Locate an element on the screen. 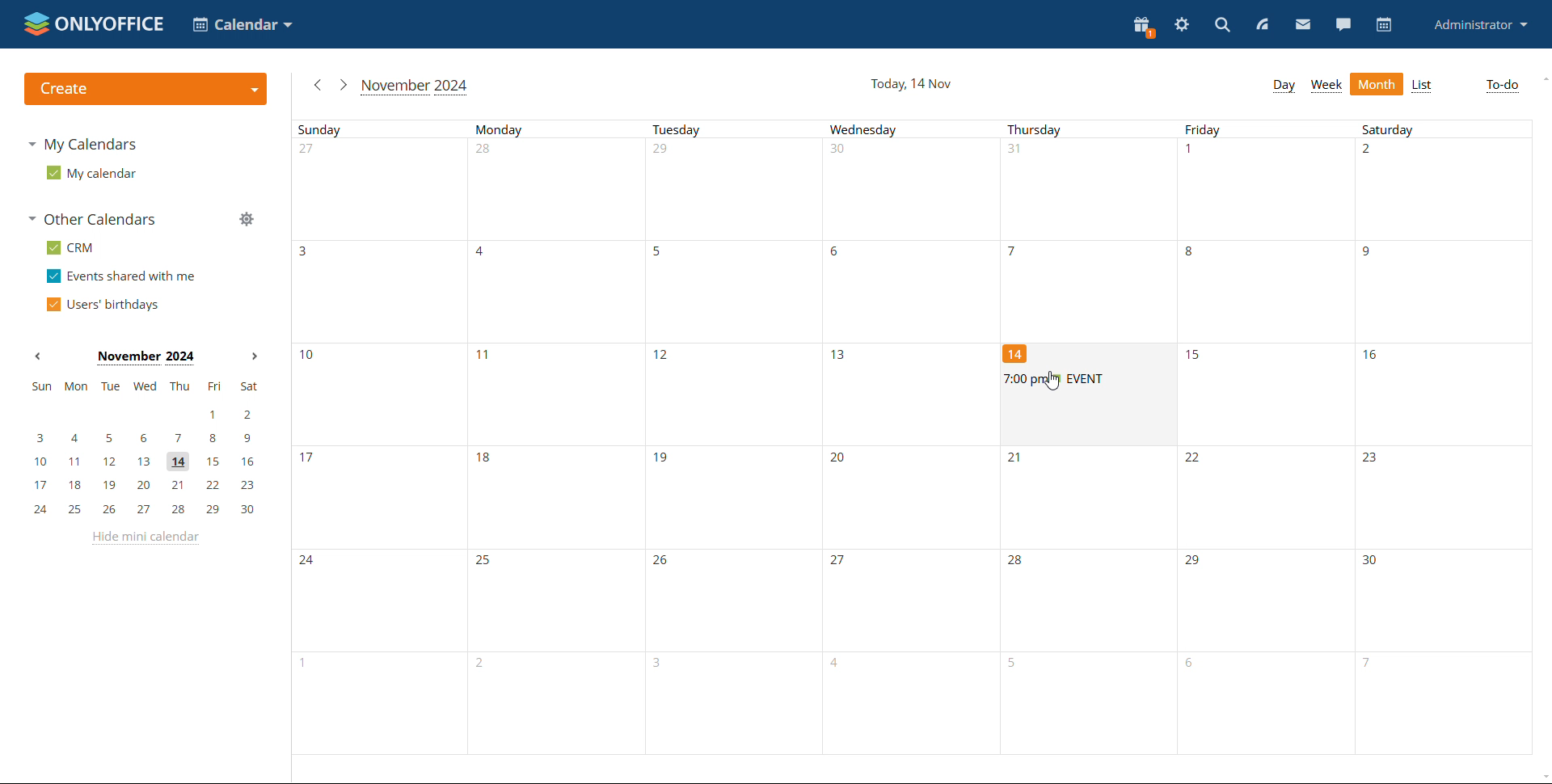  number is located at coordinates (1373, 563).